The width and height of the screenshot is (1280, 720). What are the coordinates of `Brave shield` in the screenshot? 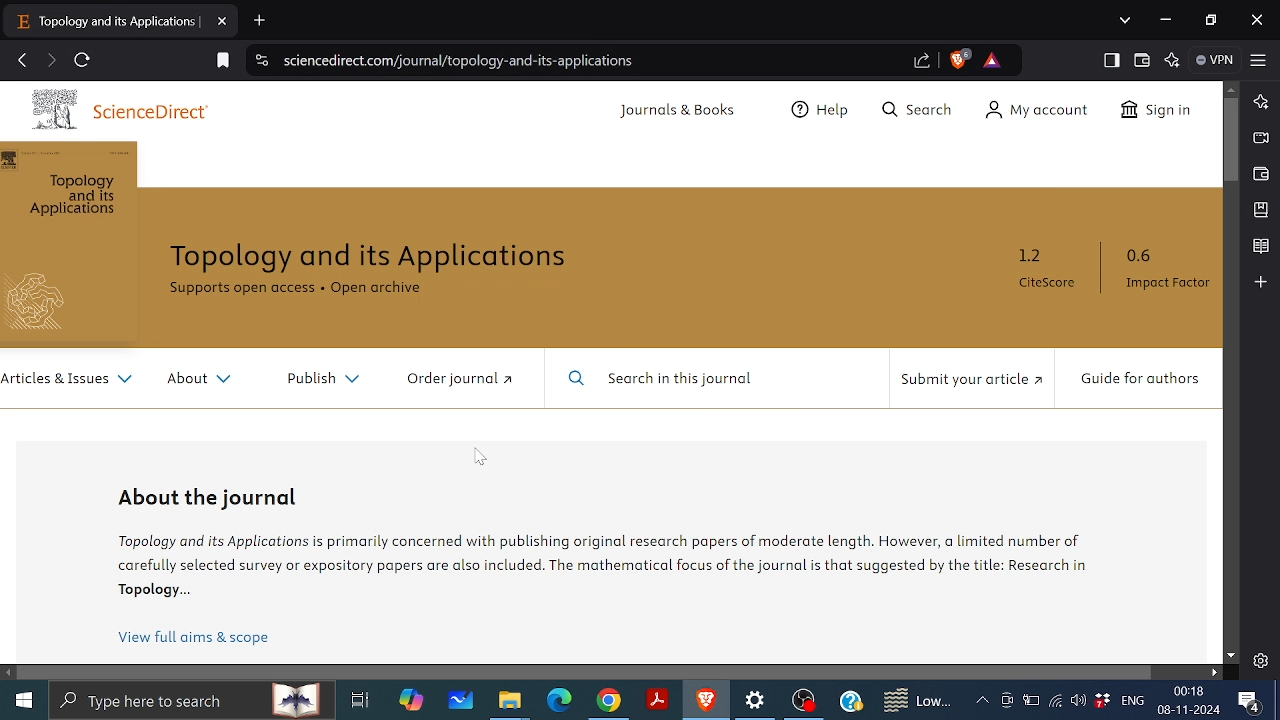 It's located at (960, 61).